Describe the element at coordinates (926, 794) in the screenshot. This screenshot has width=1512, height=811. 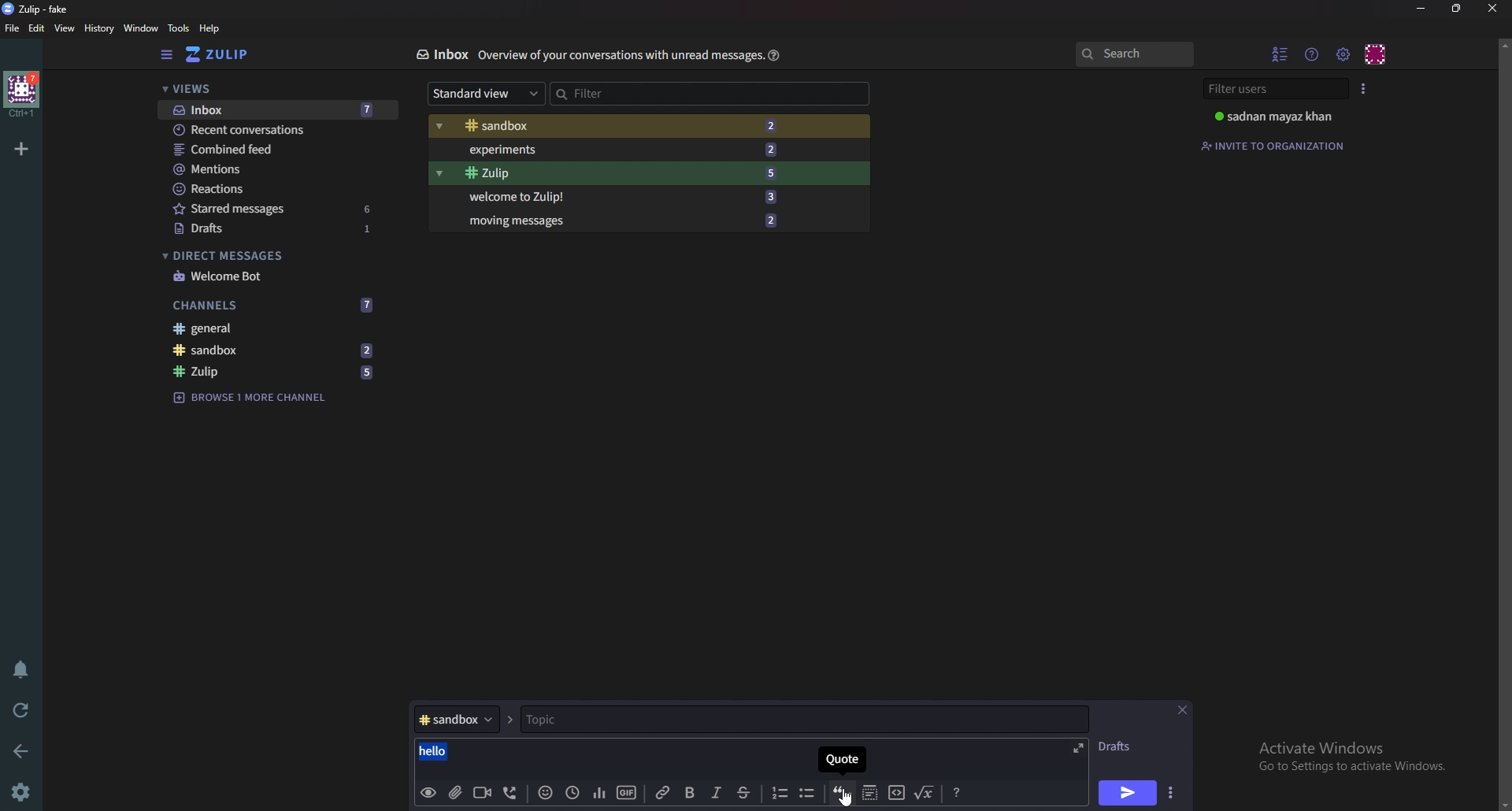
I see `Math` at that location.